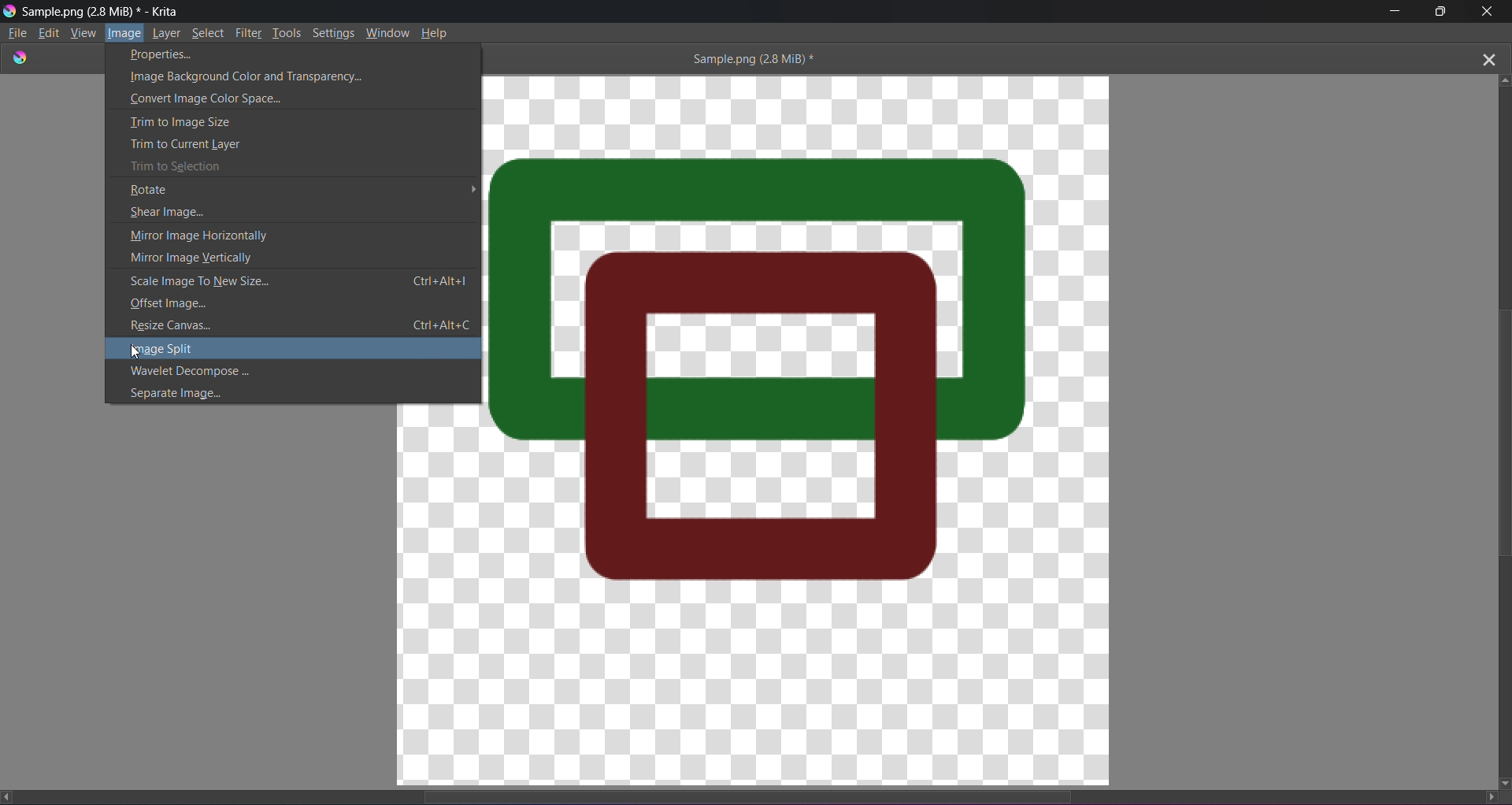 The height and width of the screenshot is (805, 1512). I want to click on Trim to Current Layer, so click(278, 143).